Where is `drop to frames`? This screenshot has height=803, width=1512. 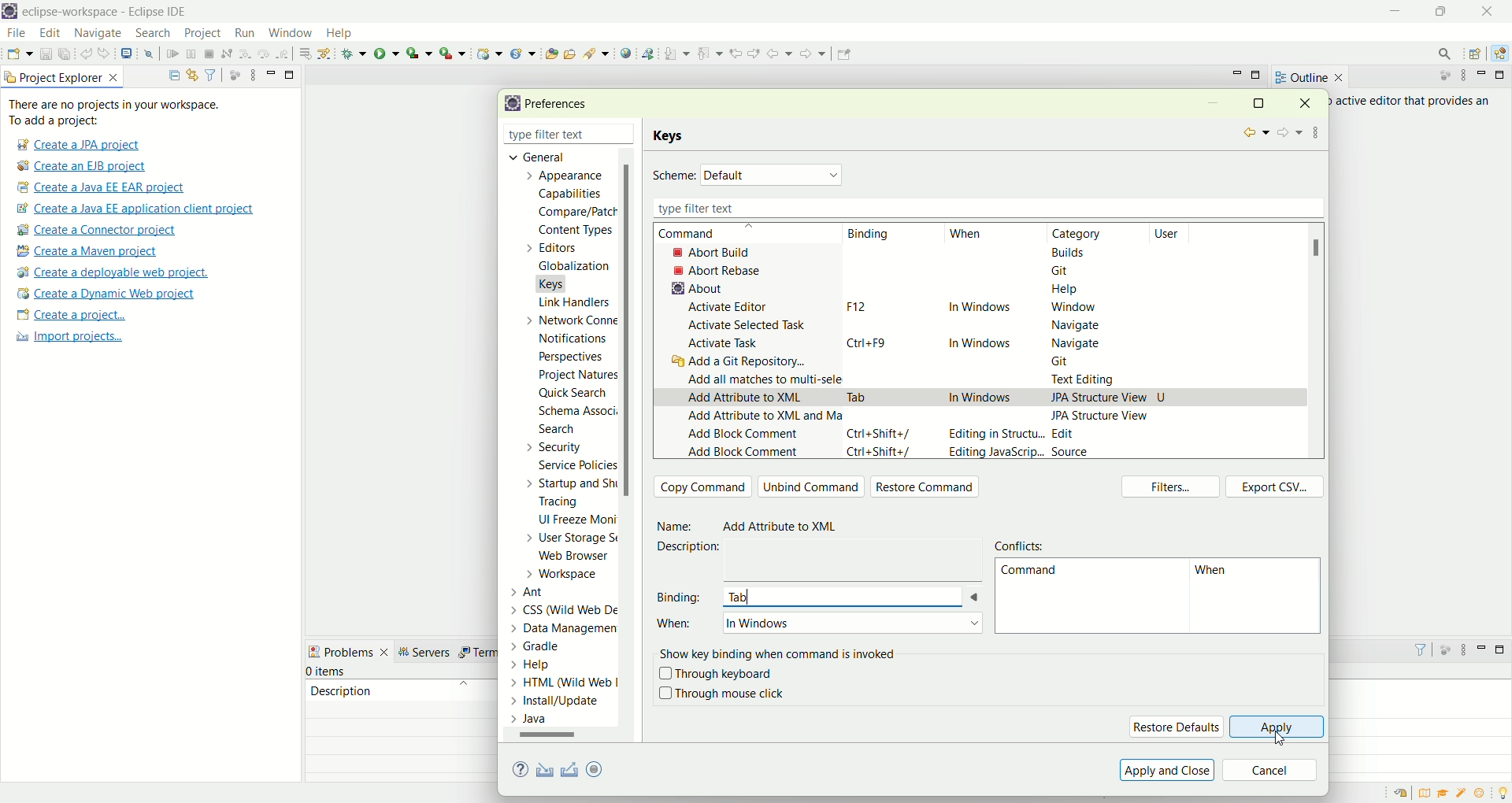
drop to frames is located at coordinates (306, 54).